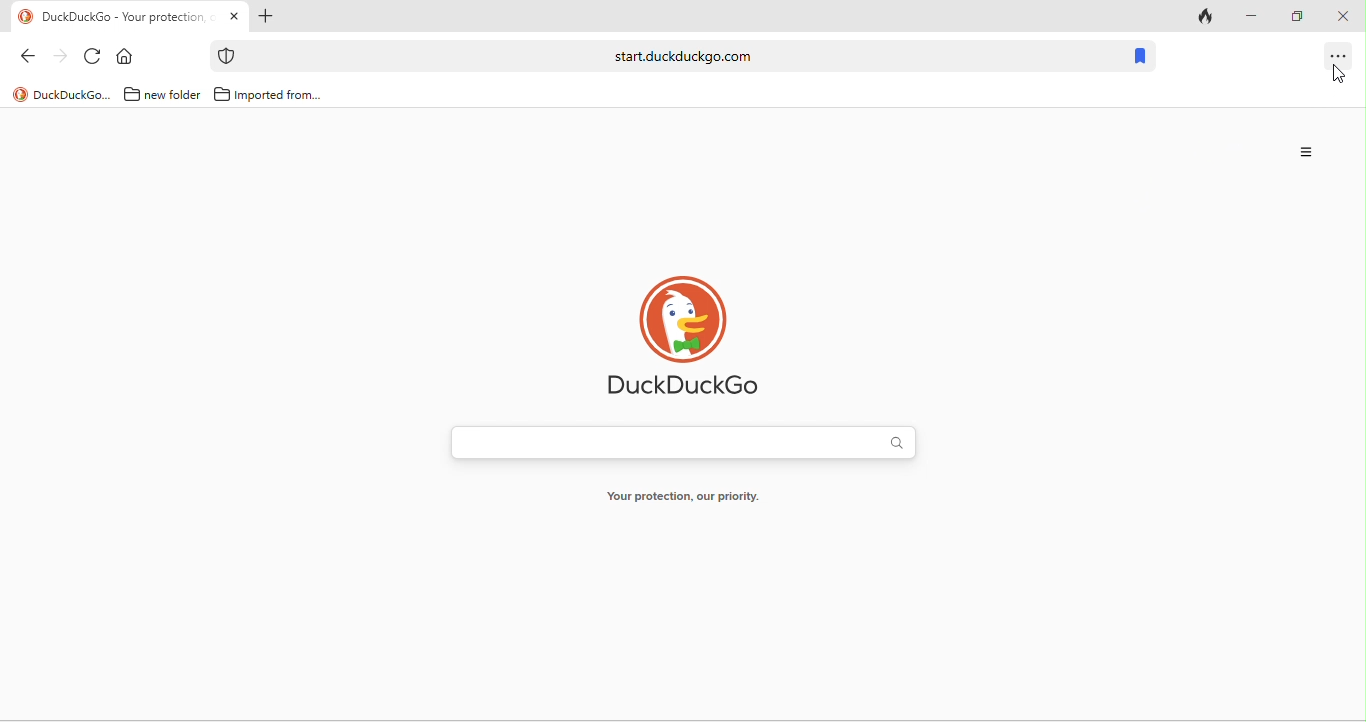 This screenshot has width=1366, height=722. What do you see at coordinates (235, 16) in the screenshot?
I see `close tab` at bounding box center [235, 16].